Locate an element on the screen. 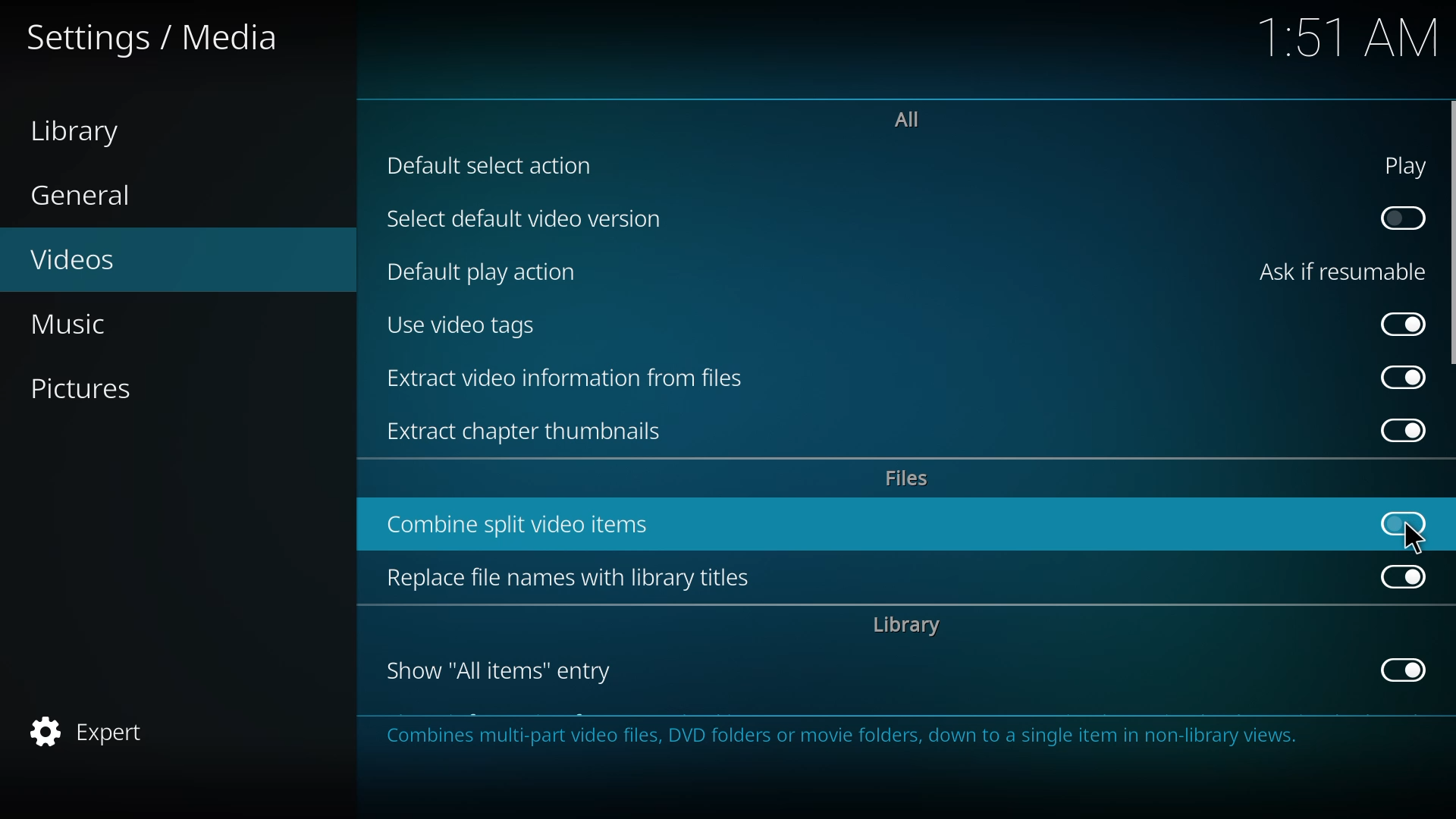 This screenshot has width=1456, height=819. enabled is located at coordinates (1399, 377).